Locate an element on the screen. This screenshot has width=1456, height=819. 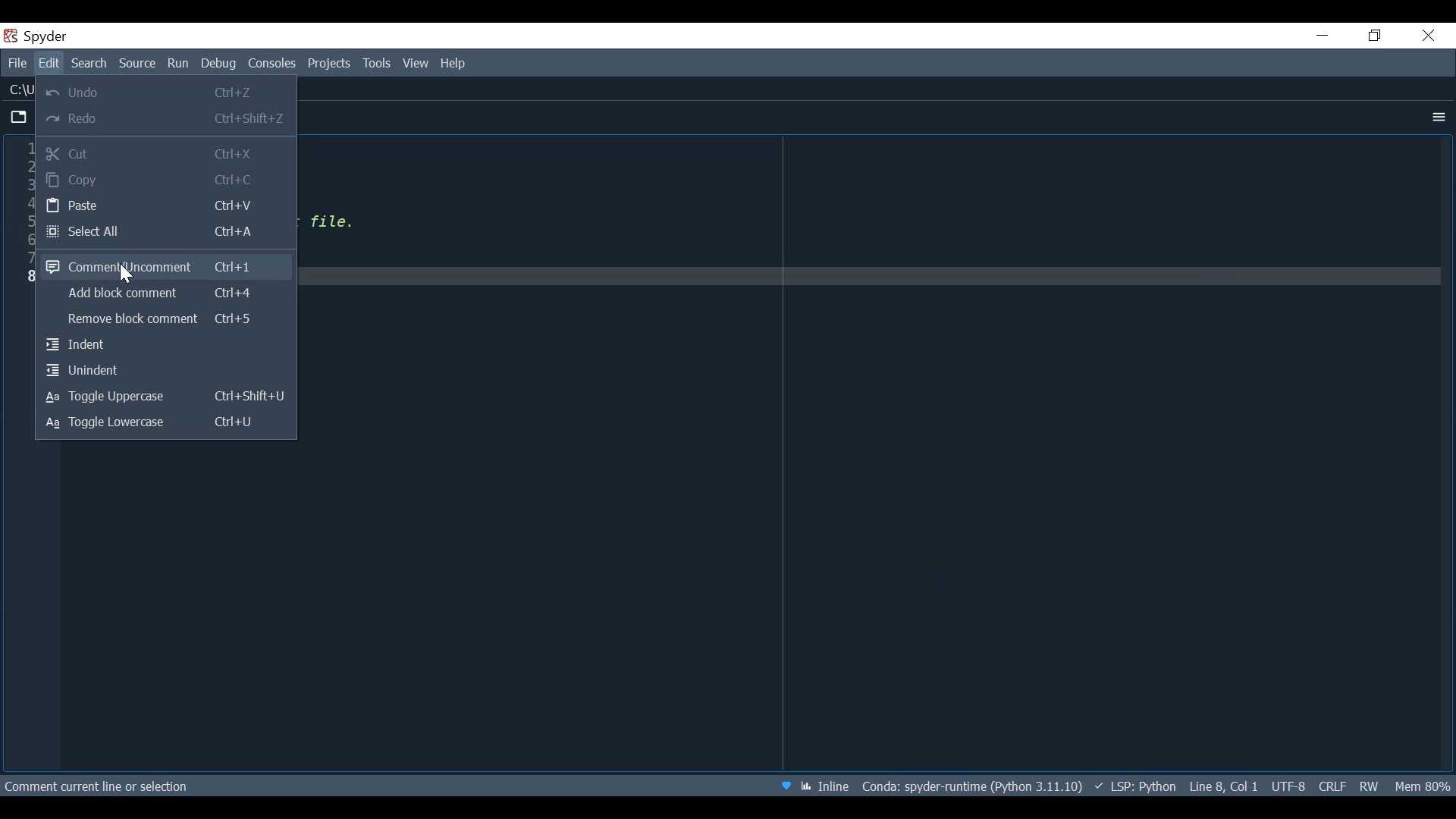
Search is located at coordinates (92, 65).